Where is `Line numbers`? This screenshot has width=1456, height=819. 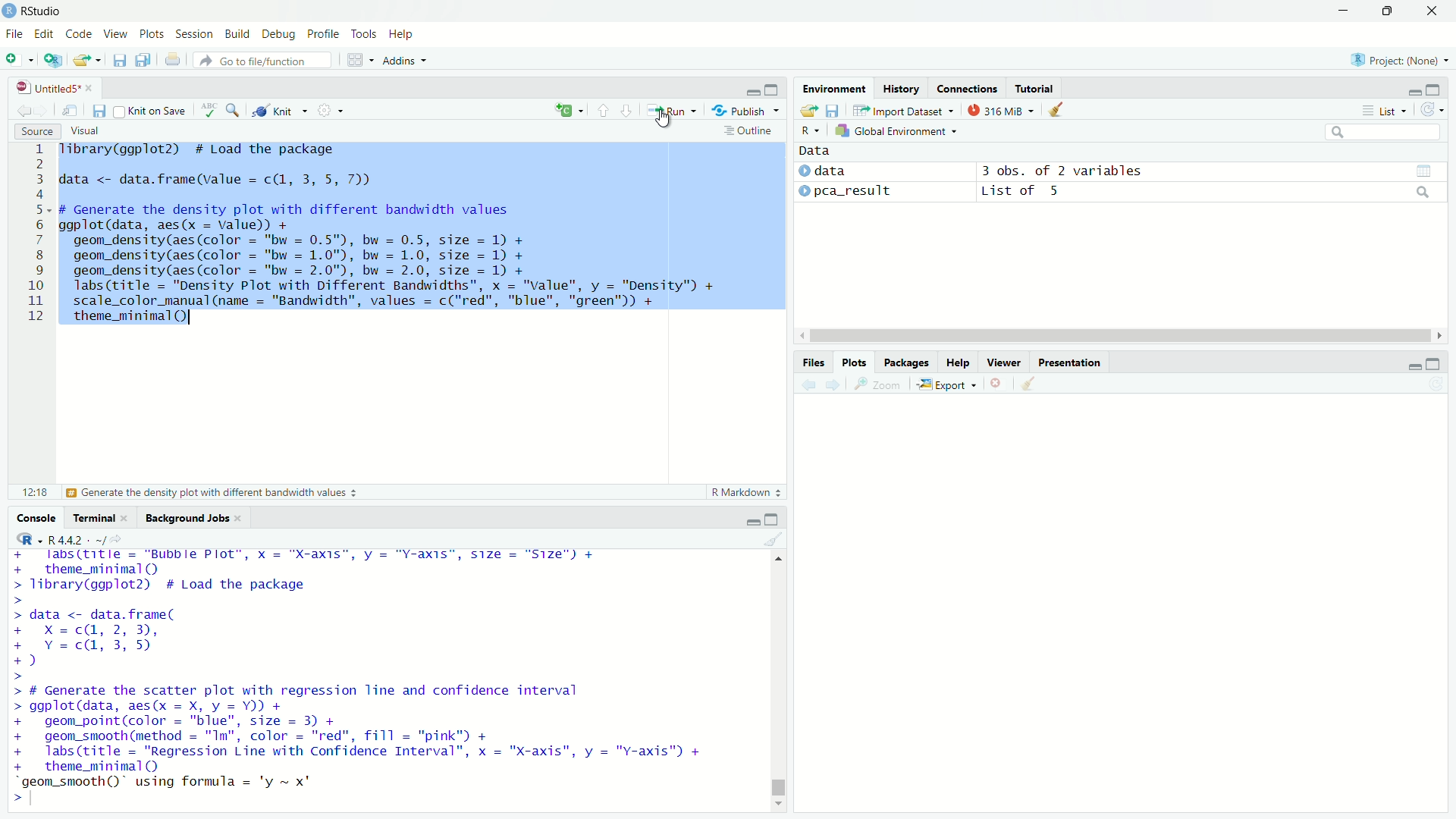 Line numbers is located at coordinates (32, 235).